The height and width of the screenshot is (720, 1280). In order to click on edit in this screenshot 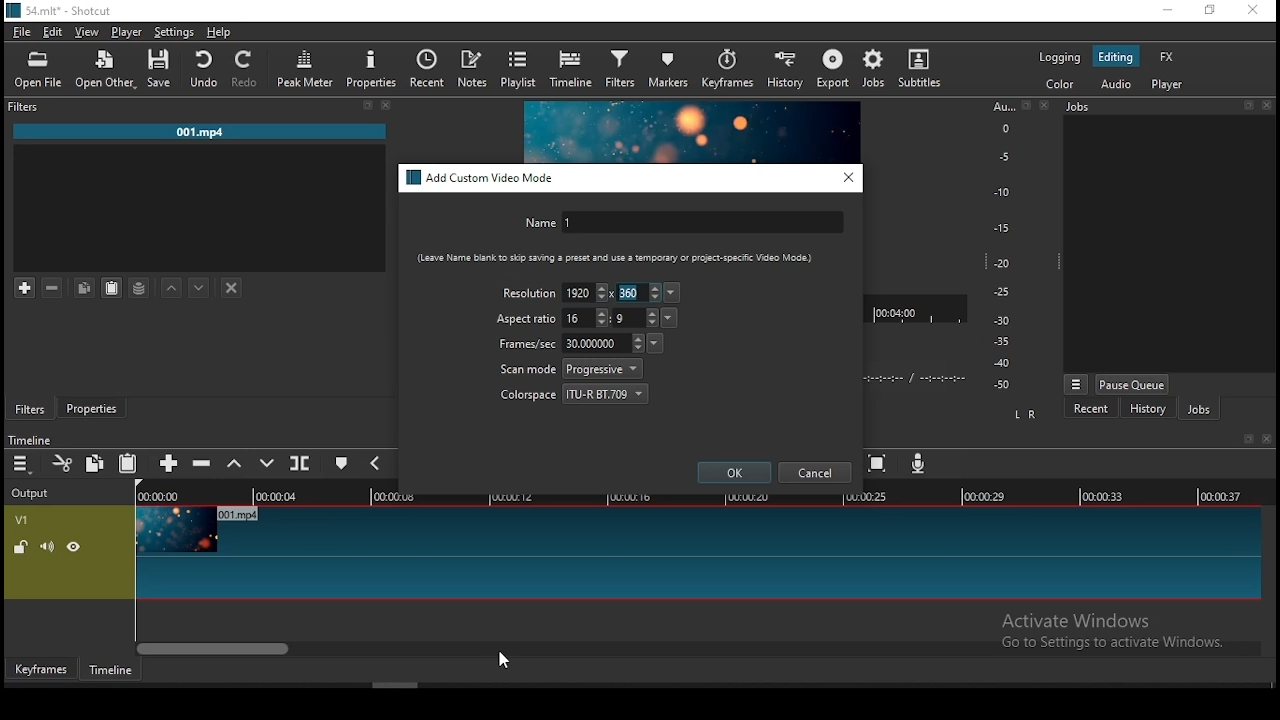, I will do `click(53, 33)`.